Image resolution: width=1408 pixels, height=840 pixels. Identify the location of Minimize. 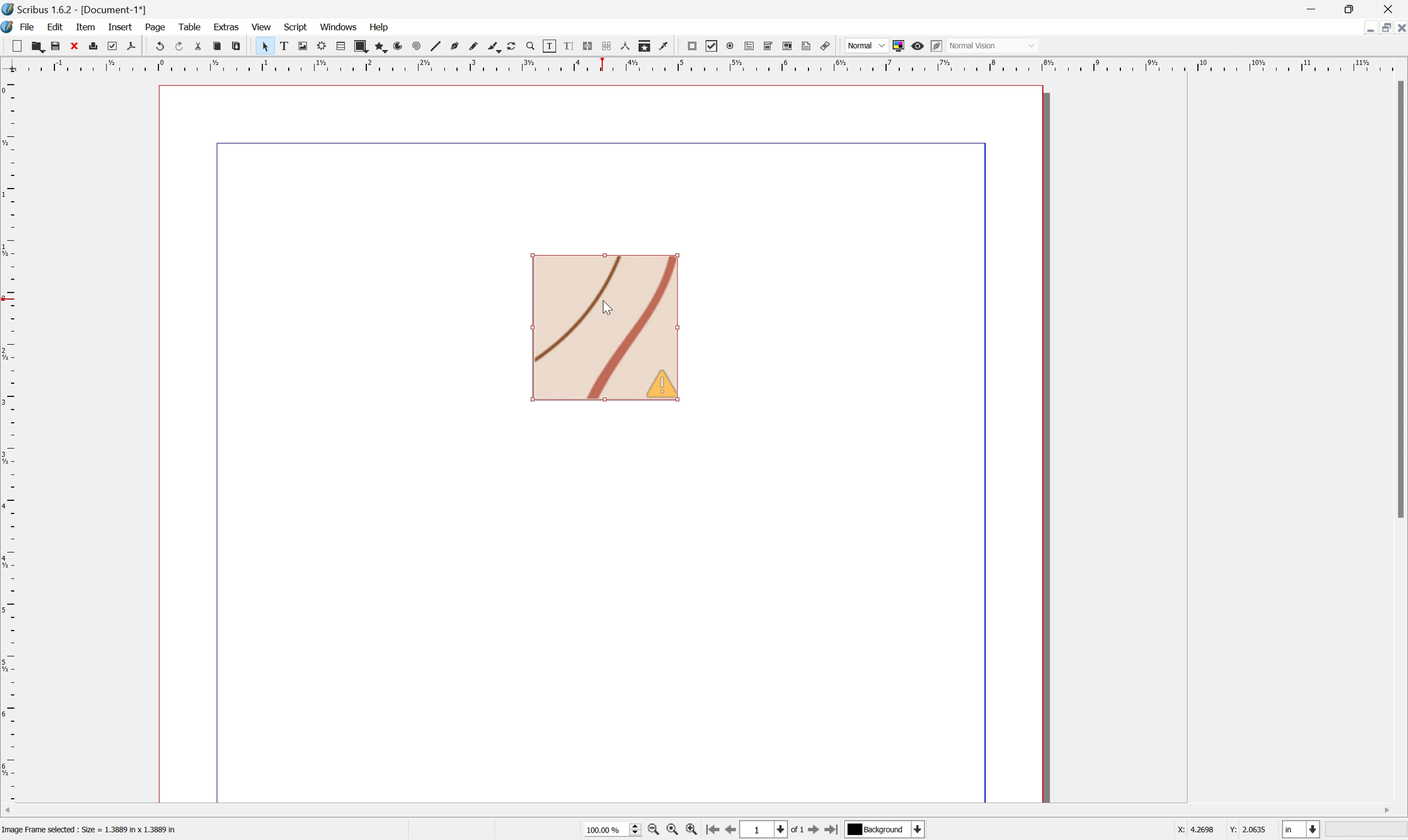
(1311, 10).